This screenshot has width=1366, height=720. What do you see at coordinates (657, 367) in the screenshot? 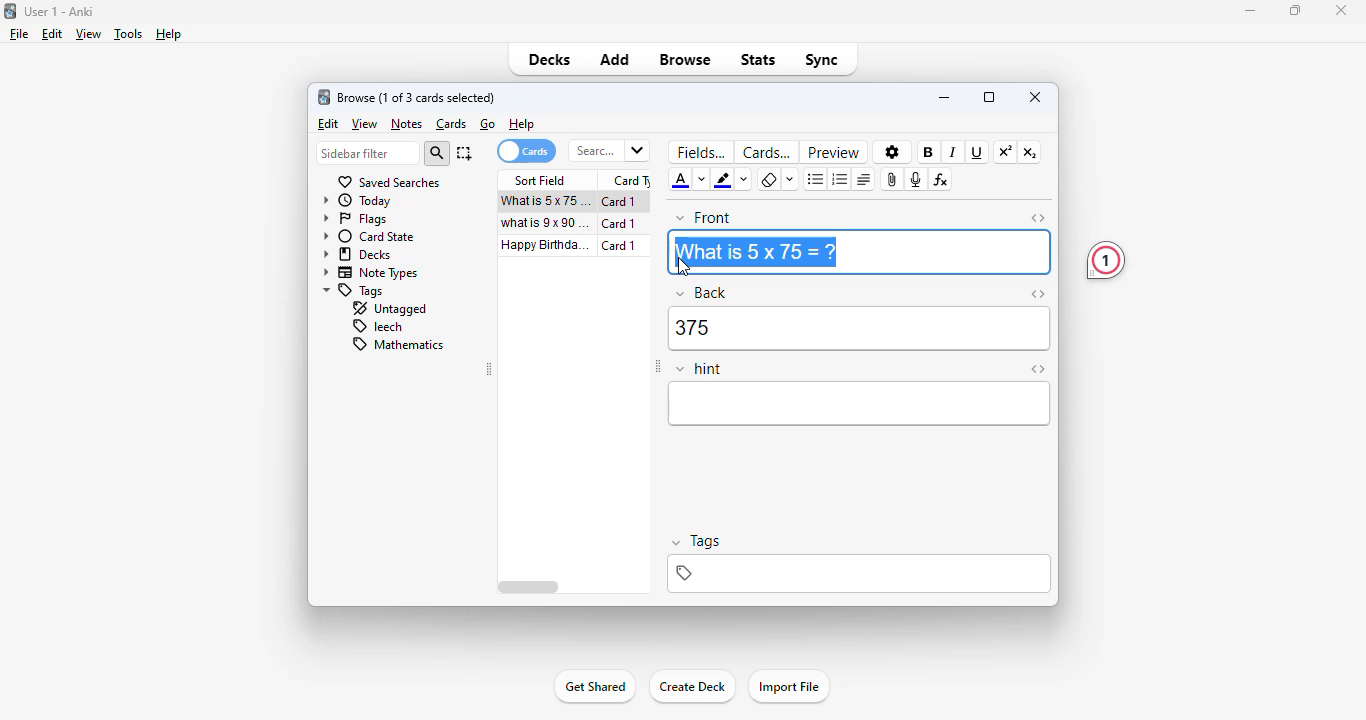
I see `toggle sidebar` at bounding box center [657, 367].